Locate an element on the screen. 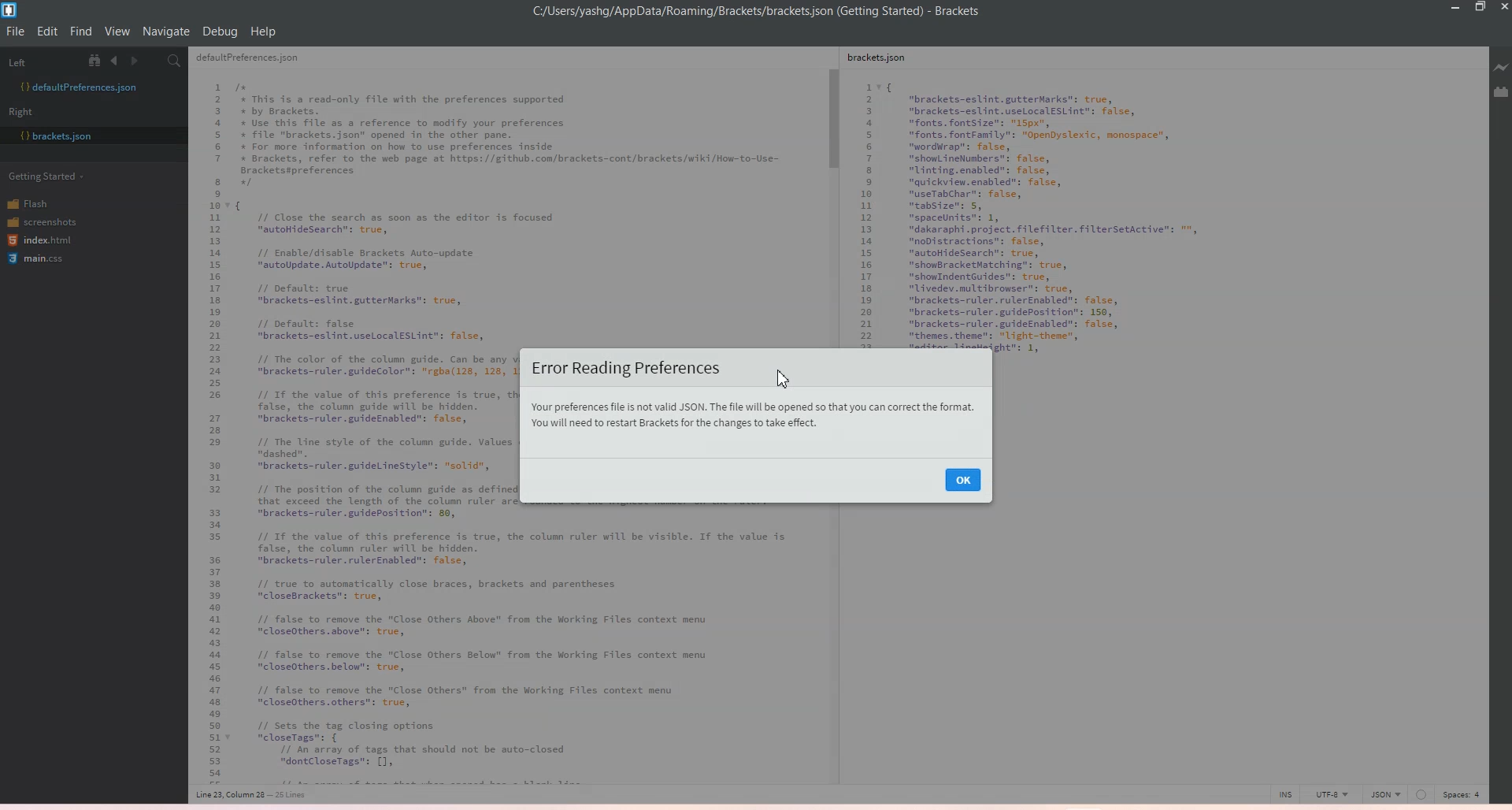 This screenshot has width=1512, height=810. Right is located at coordinates (26, 111).